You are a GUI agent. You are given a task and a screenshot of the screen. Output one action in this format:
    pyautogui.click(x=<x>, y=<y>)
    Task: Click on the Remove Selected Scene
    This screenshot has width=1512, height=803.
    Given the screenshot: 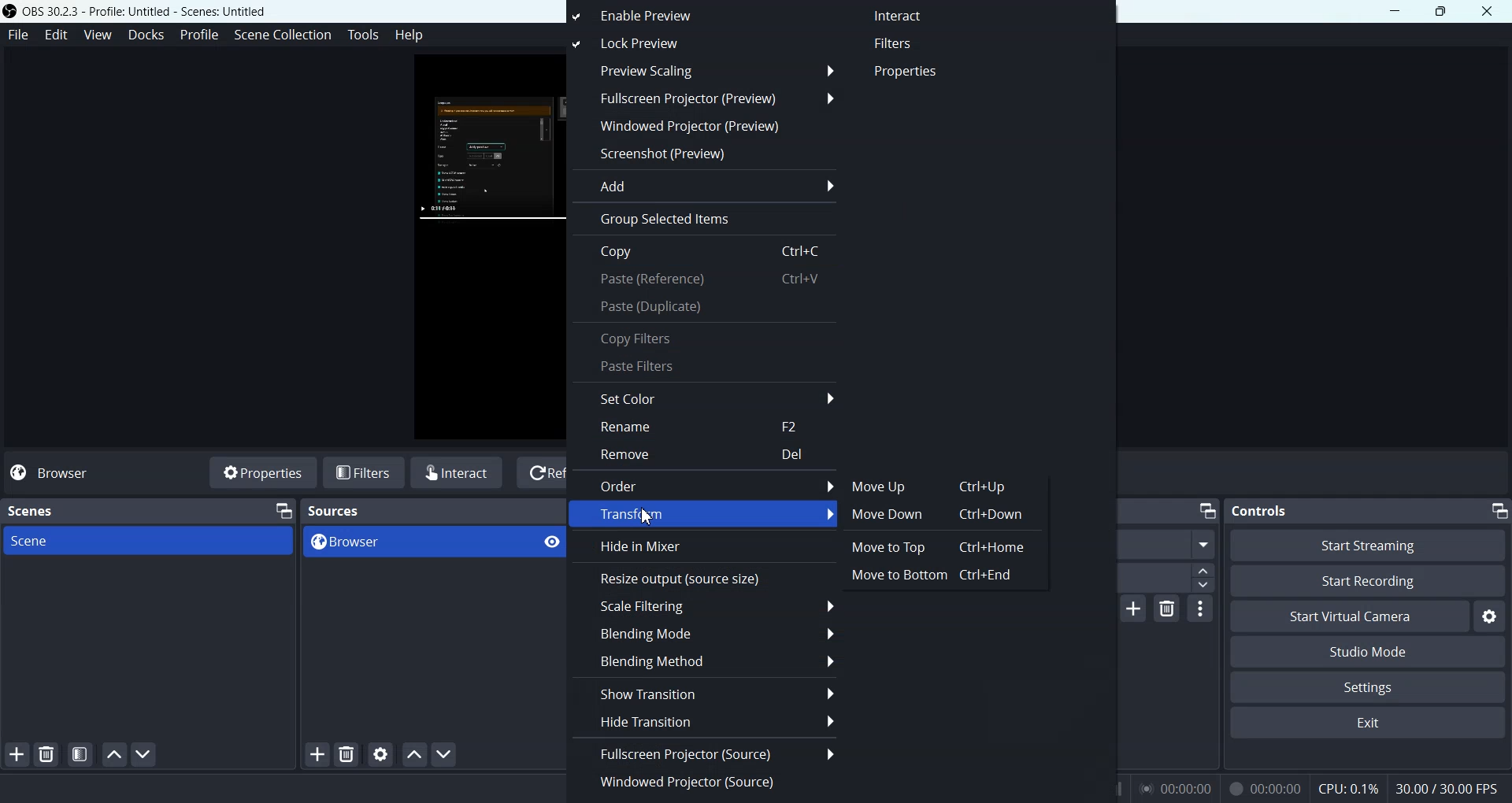 What is the action you would take?
    pyautogui.click(x=49, y=754)
    